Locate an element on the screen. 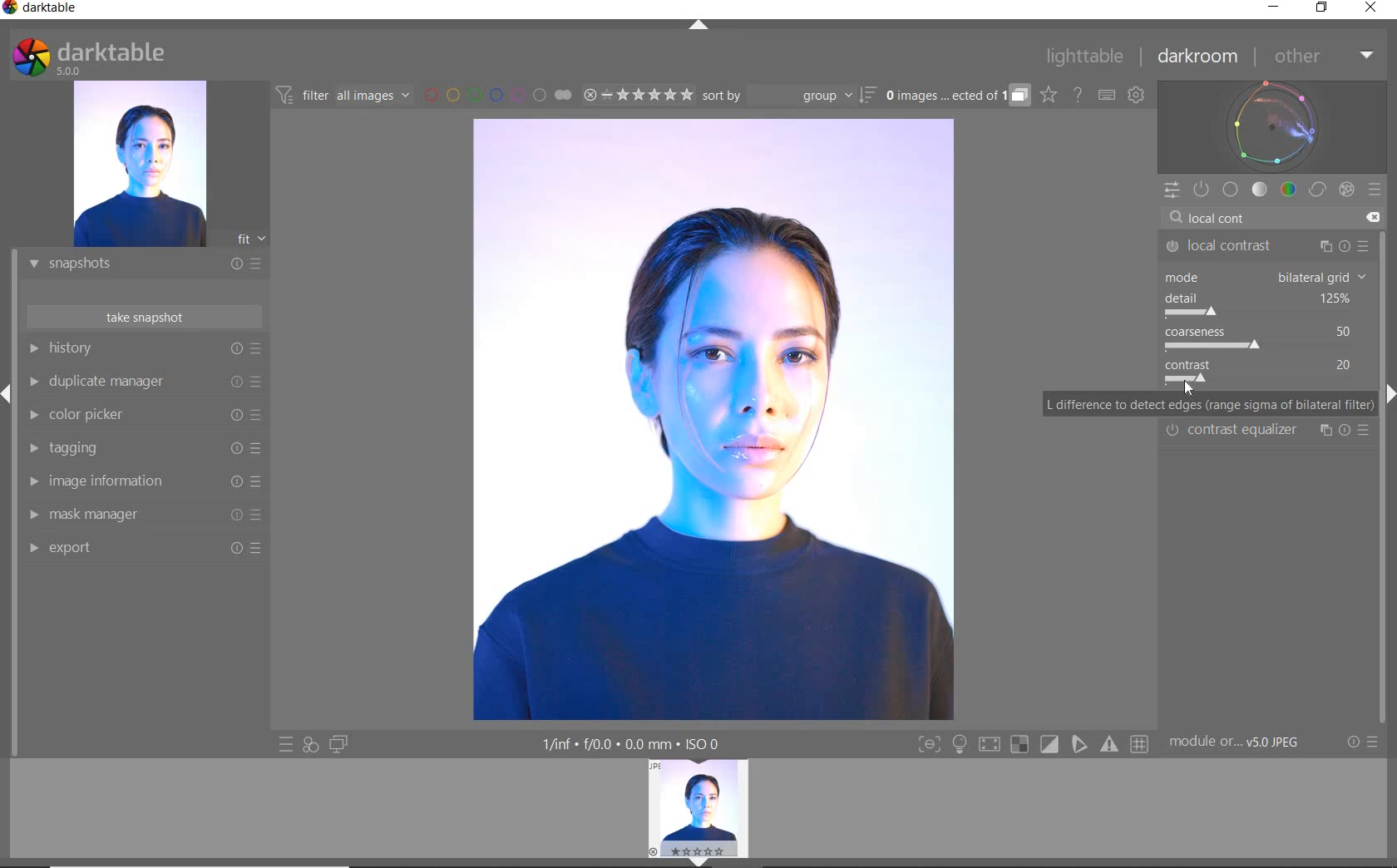 This screenshot has width=1397, height=868. RESTORE is located at coordinates (1325, 8).